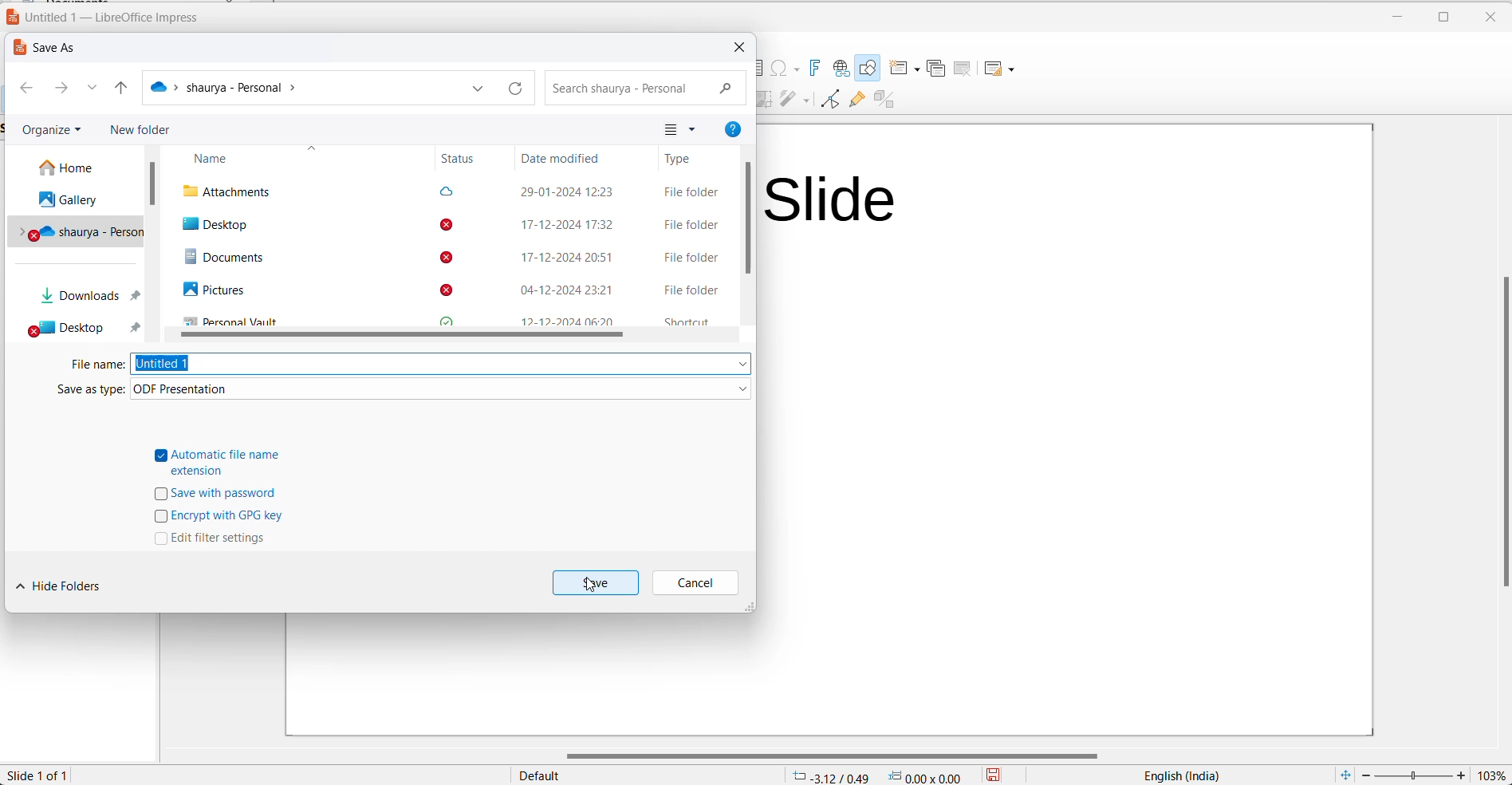 Image resolution: width=1512 pixels, height=785 pixels. Describe the element at coordinates (107, 18) in the screenshot. I see `untitled 1-libreoffice impress` at that location.